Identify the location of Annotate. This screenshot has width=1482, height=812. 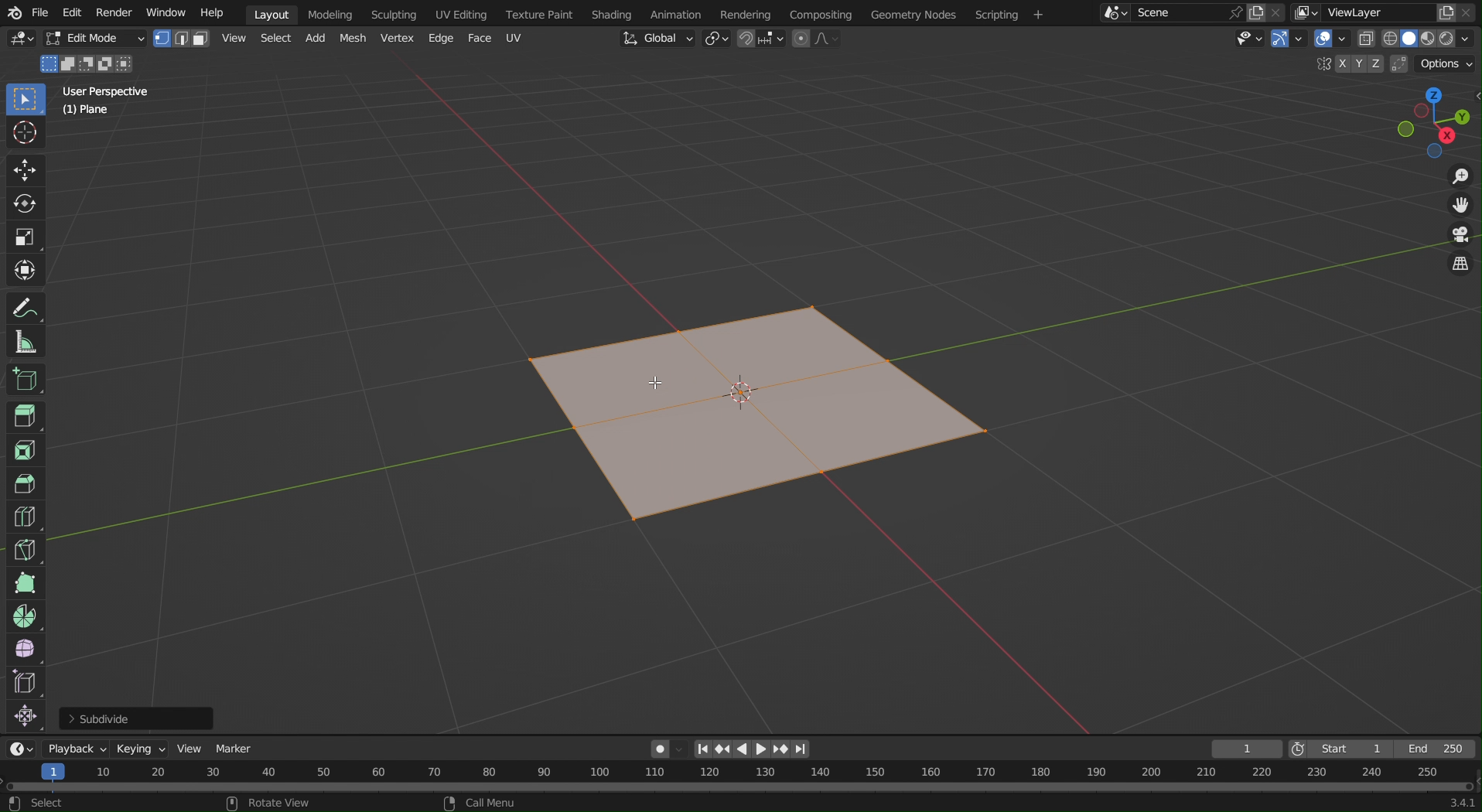
(26, 306).